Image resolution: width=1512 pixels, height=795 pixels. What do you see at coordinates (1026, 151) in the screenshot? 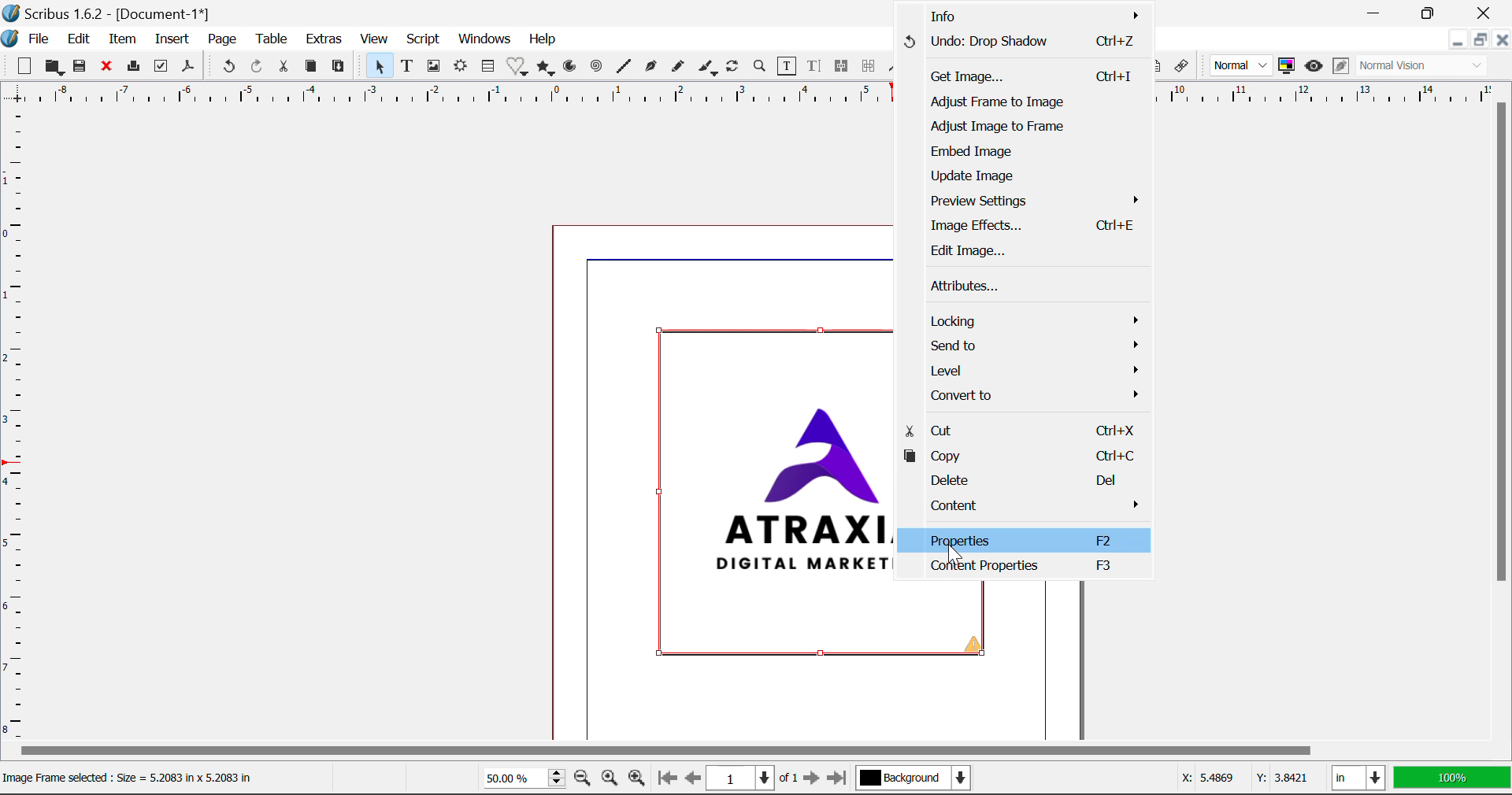
I see `Embed Image` at bounding box center [1026, 151].